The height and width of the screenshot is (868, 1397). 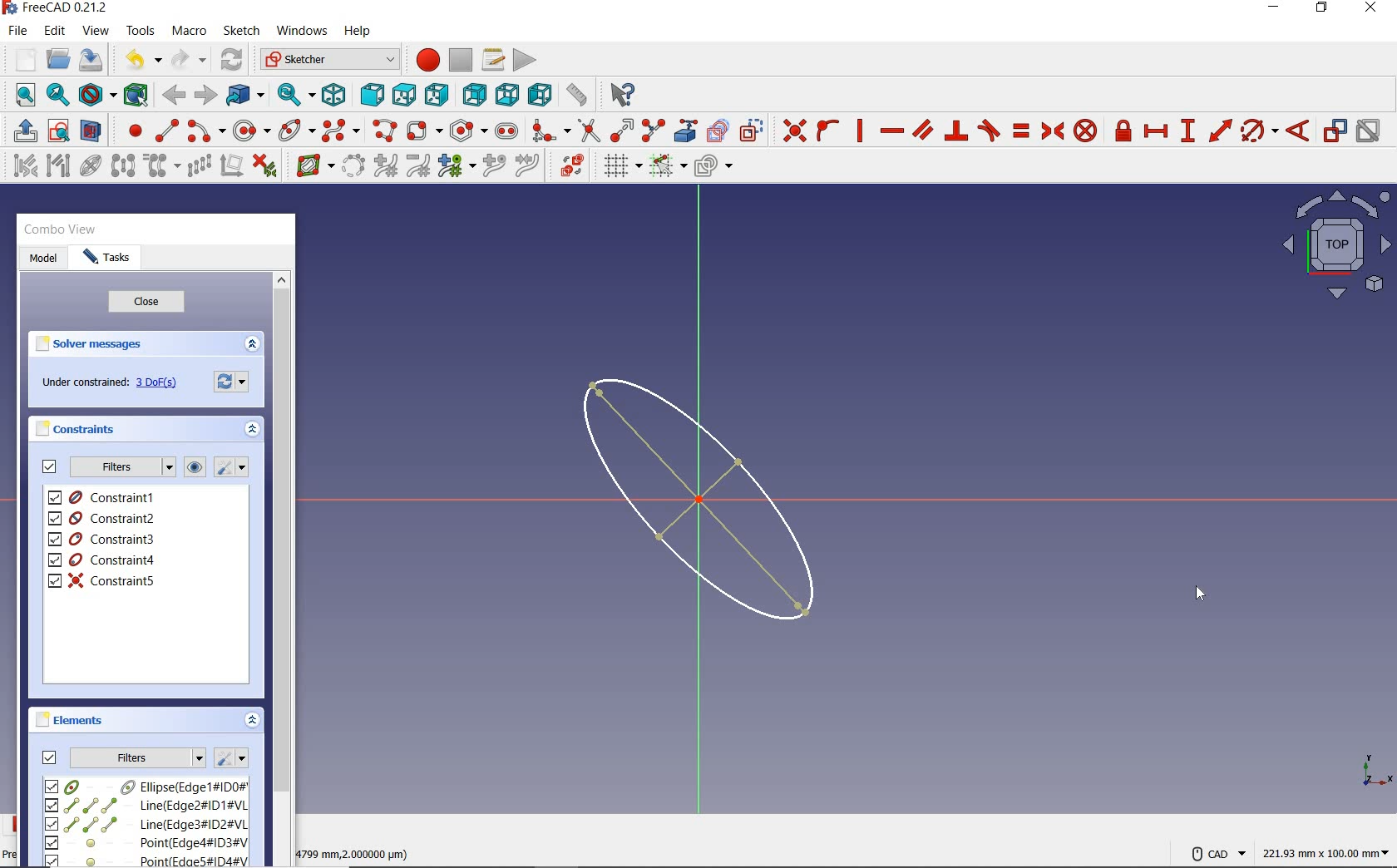 I want to click on constrain horizontal distance, so click(x=1155, y=130).